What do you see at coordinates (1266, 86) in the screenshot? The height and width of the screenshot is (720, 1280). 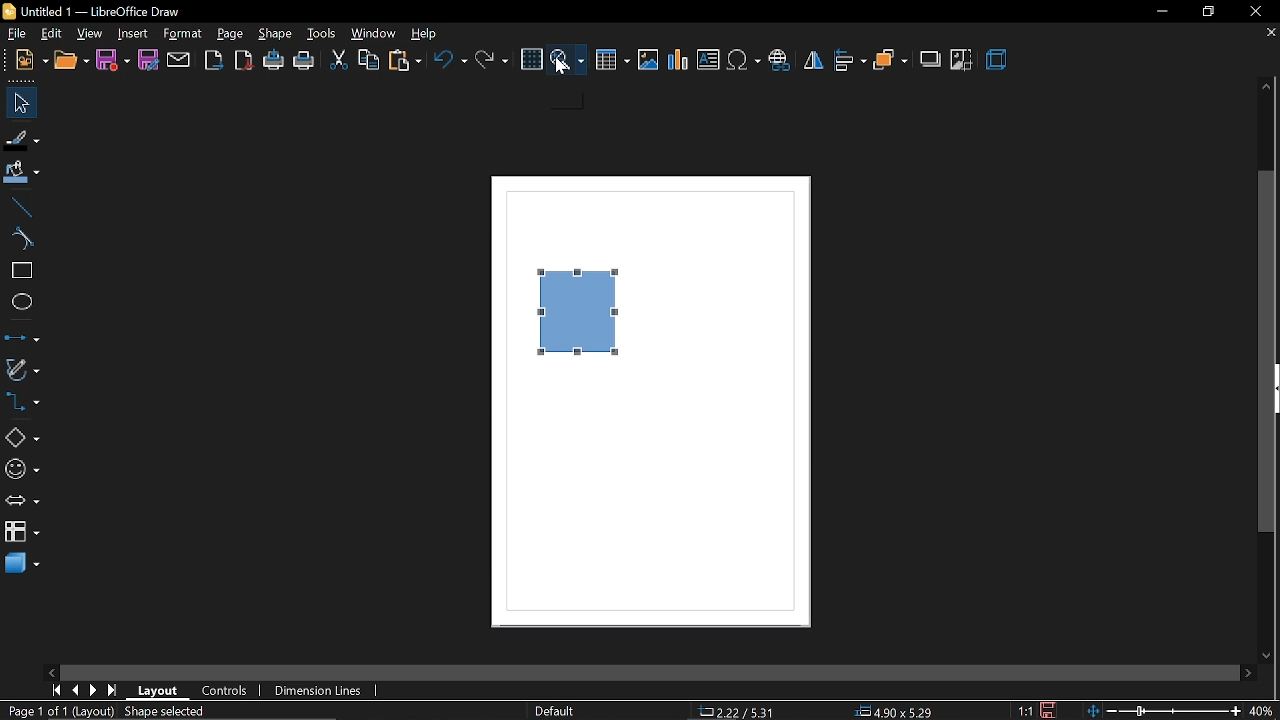 I see `move up` at bounding box center [1266, 86].